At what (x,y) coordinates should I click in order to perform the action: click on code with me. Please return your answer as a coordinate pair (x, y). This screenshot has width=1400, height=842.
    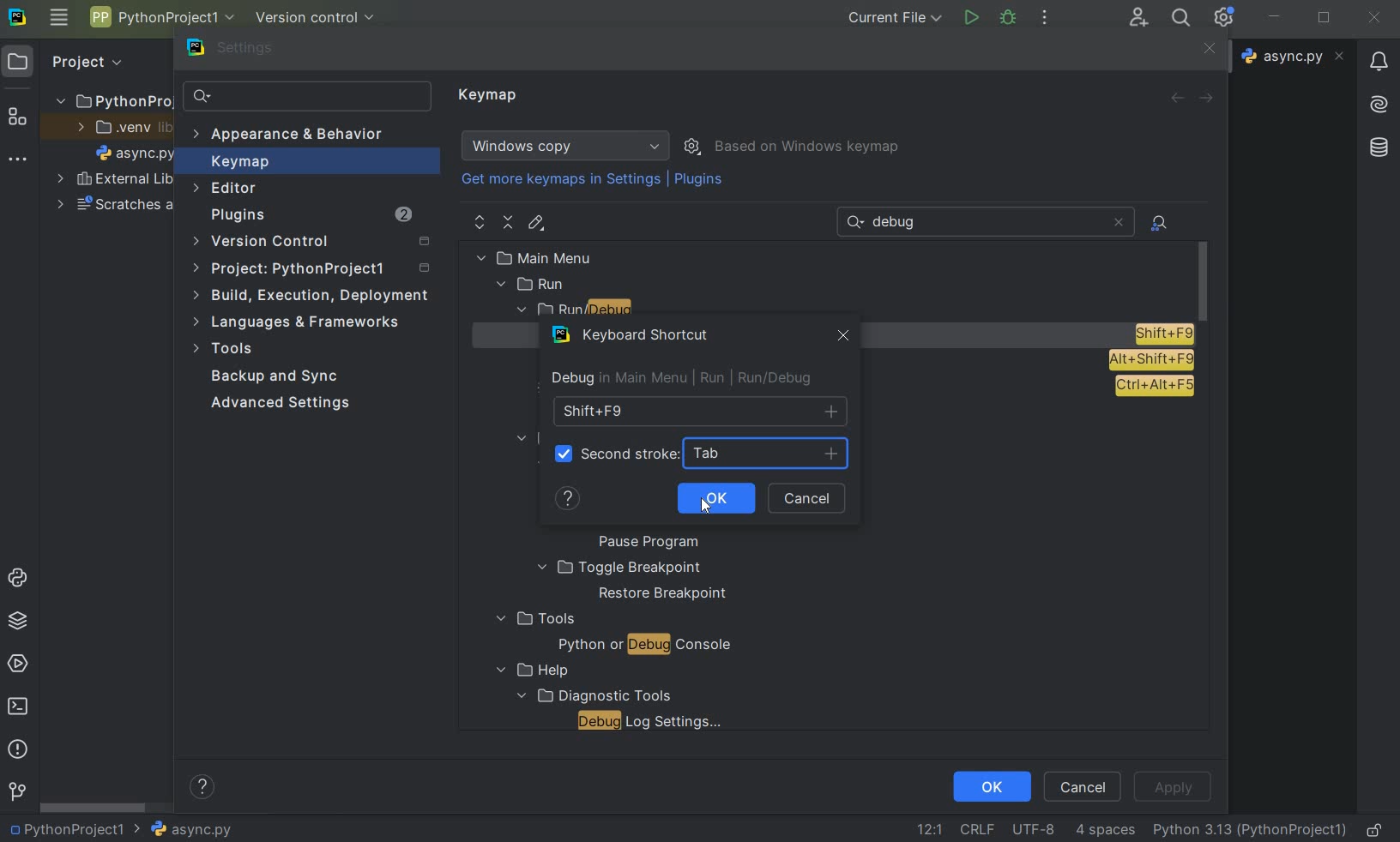
    Looking at the image, I should click on (1138, 16).